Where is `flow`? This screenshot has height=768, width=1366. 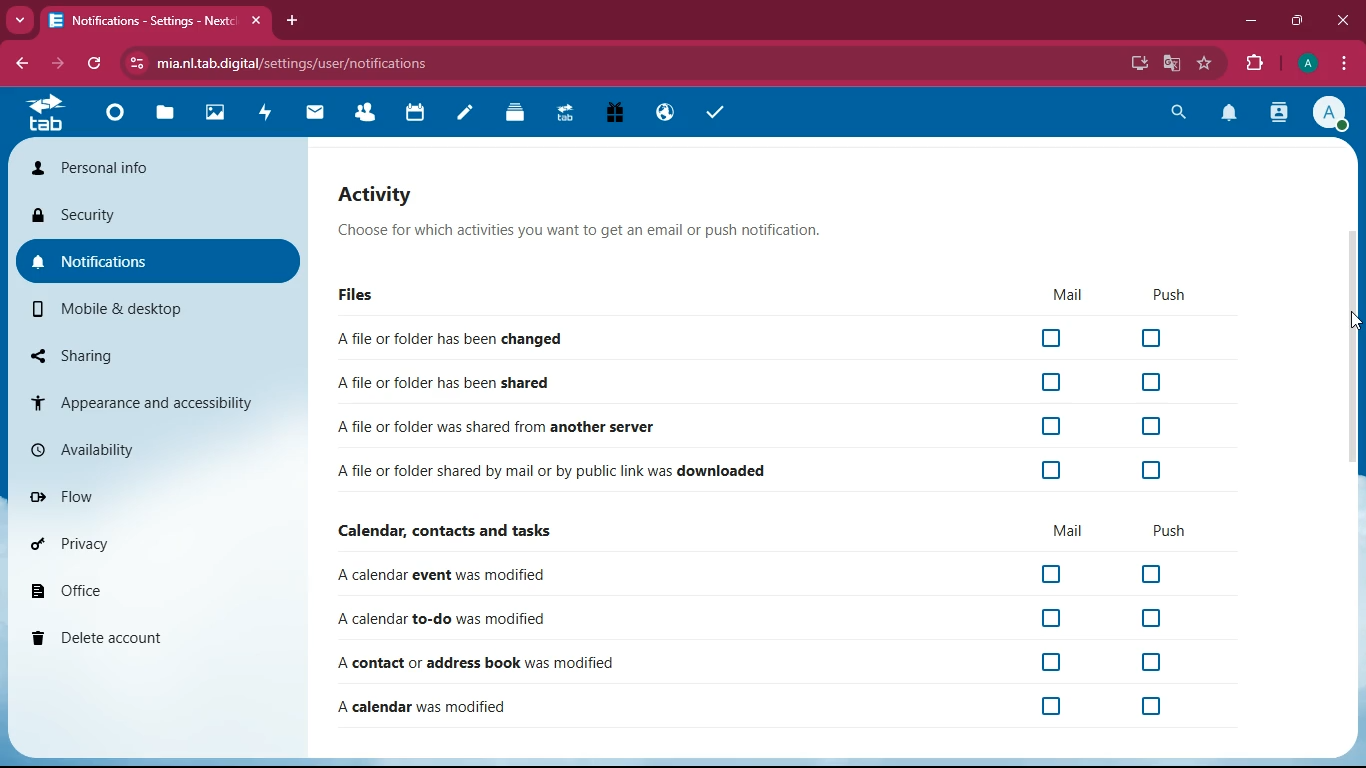 flow is located at coordinates (159, 498).